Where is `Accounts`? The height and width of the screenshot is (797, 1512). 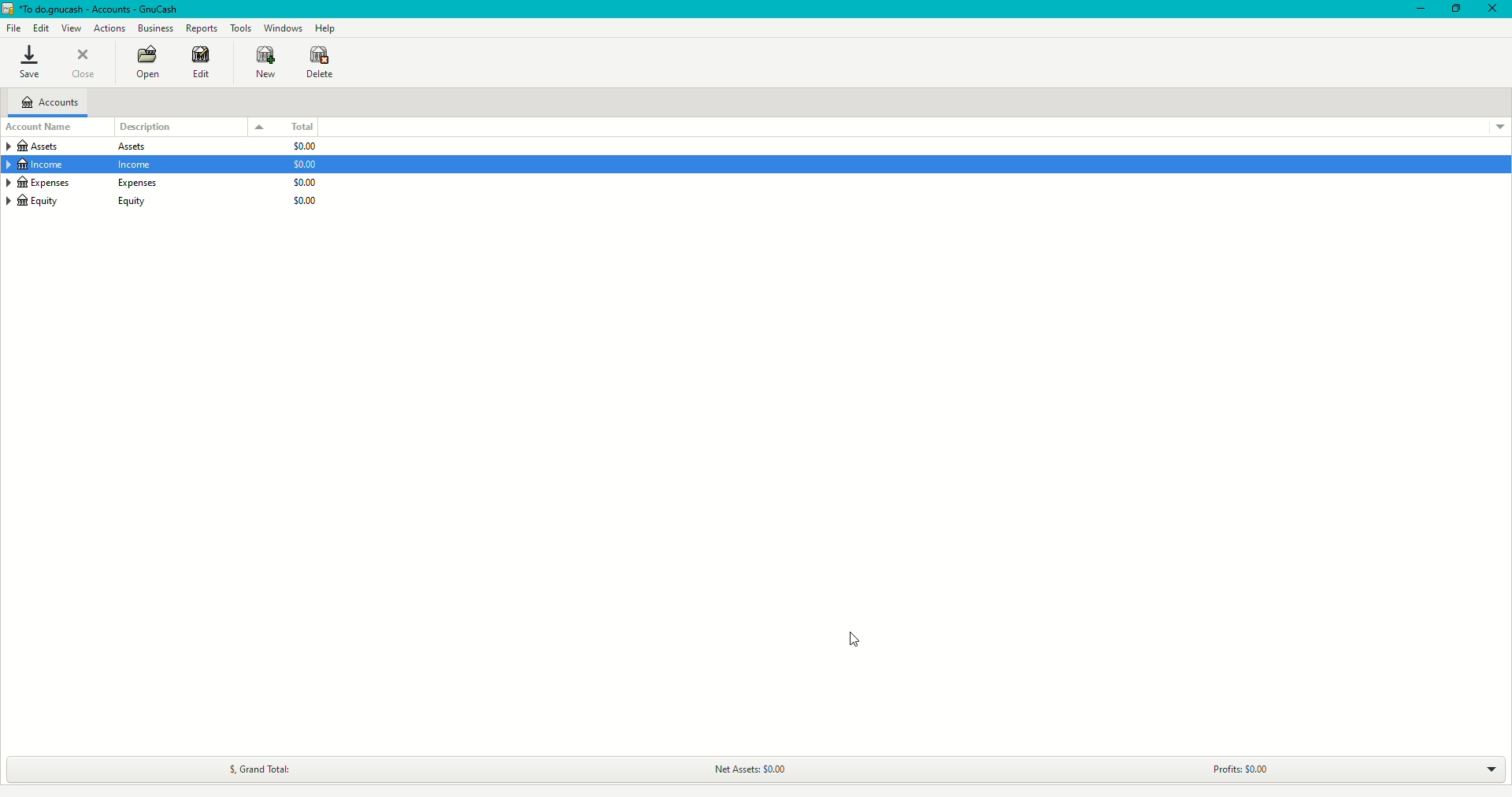 Accounts is located at coordinates (50, 101).